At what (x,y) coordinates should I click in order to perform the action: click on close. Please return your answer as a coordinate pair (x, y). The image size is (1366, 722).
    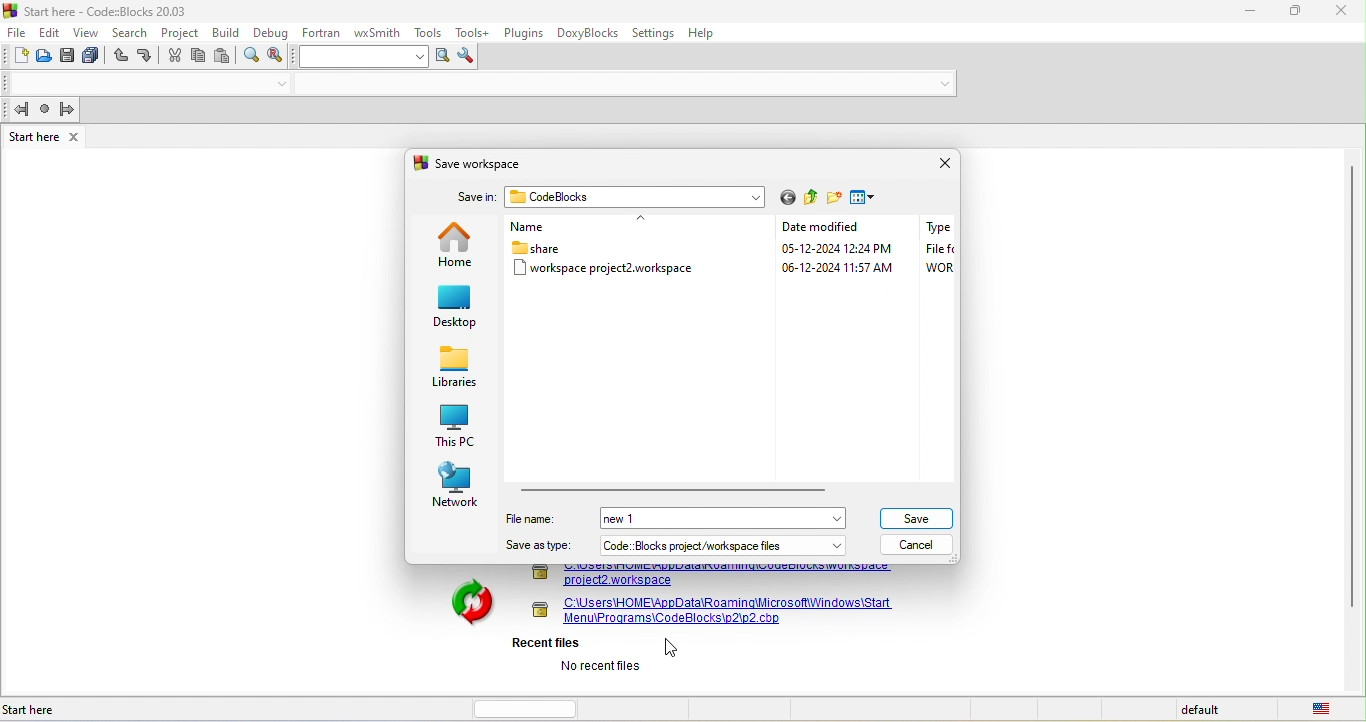
    Looking at the image, I should click on (939, 163).